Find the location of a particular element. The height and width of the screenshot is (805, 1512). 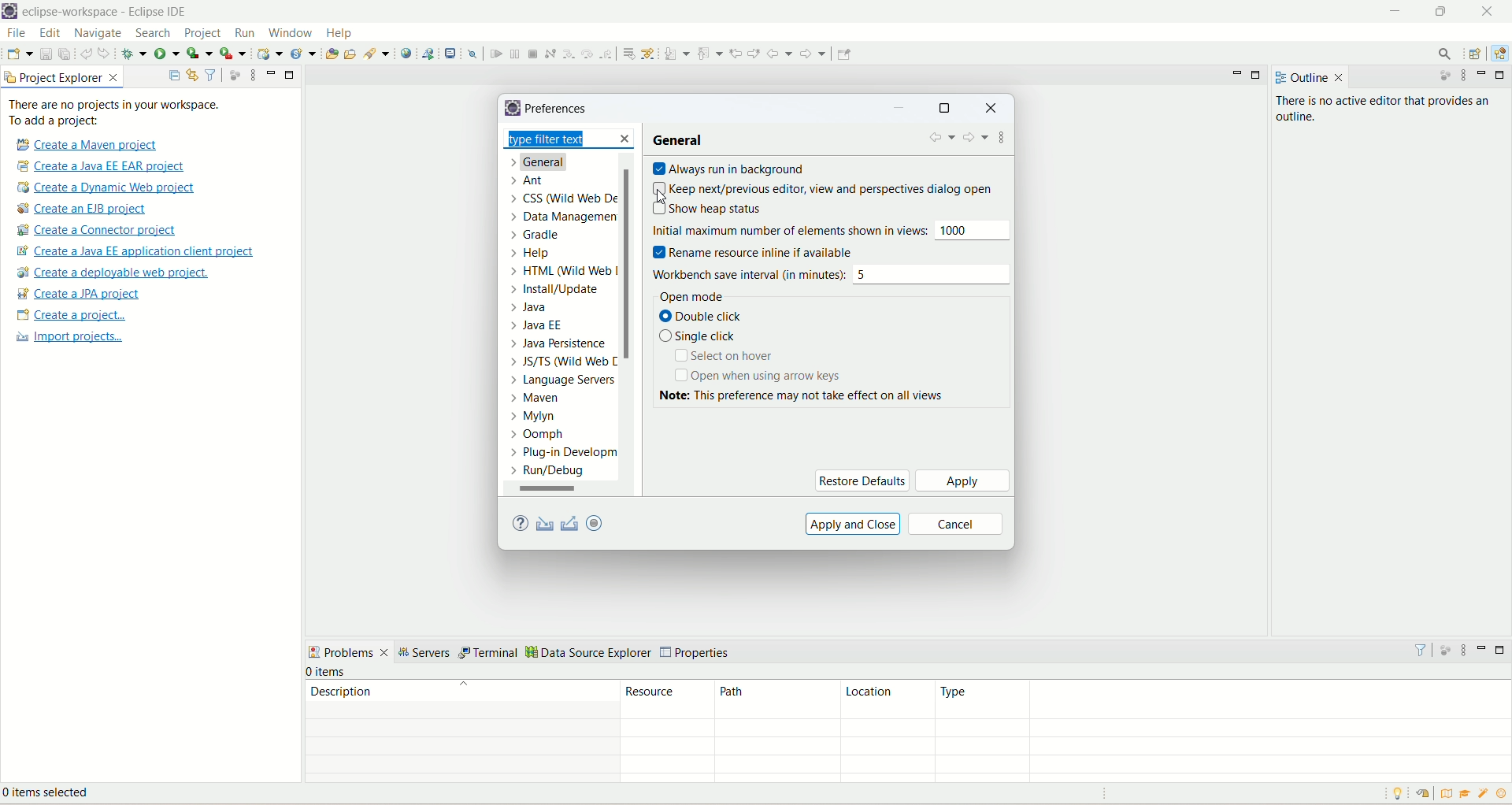

what's new is located at coordinates (1484, 796).